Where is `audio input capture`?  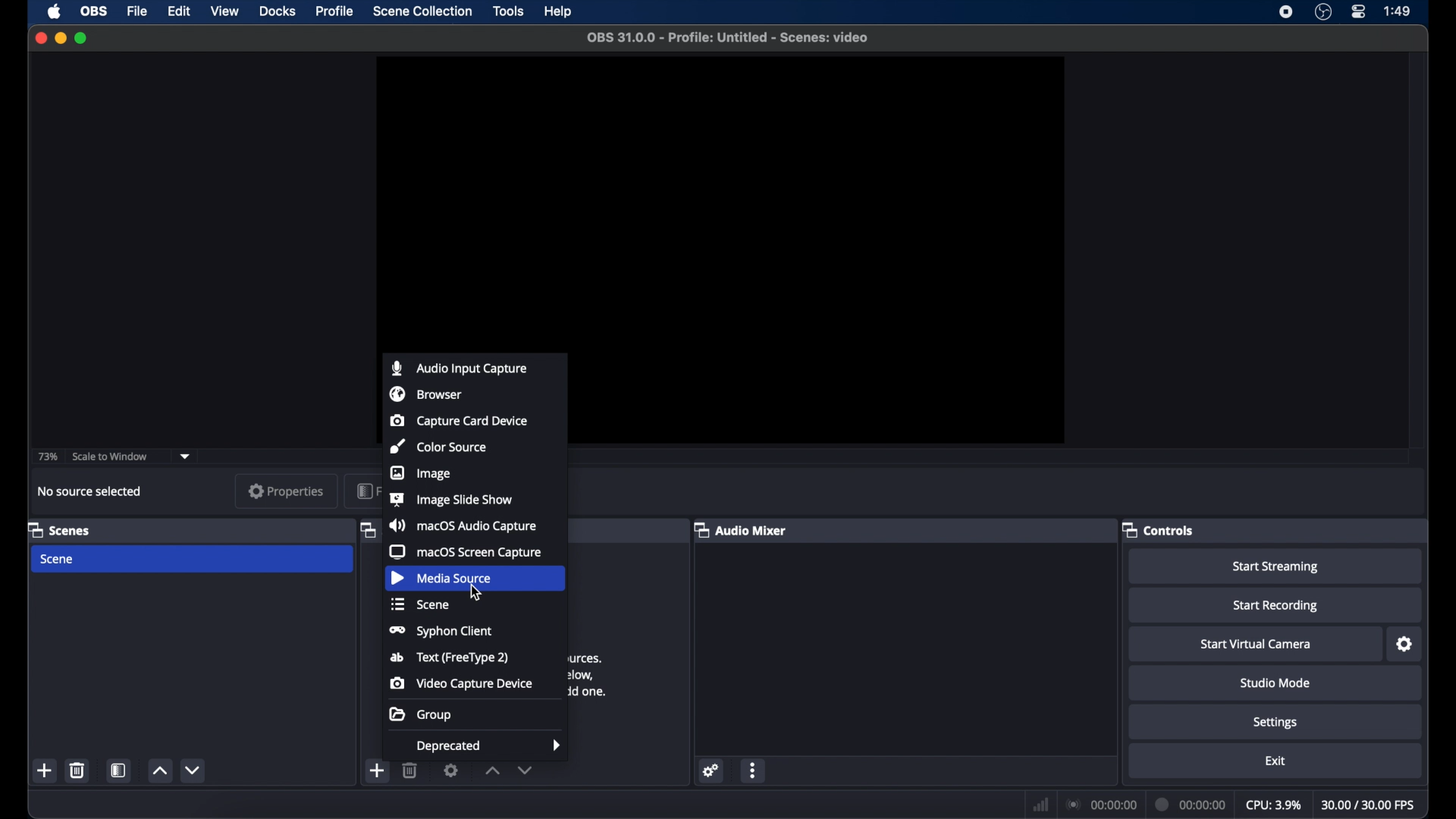 audio input capture is located at coordinates (460, 367).